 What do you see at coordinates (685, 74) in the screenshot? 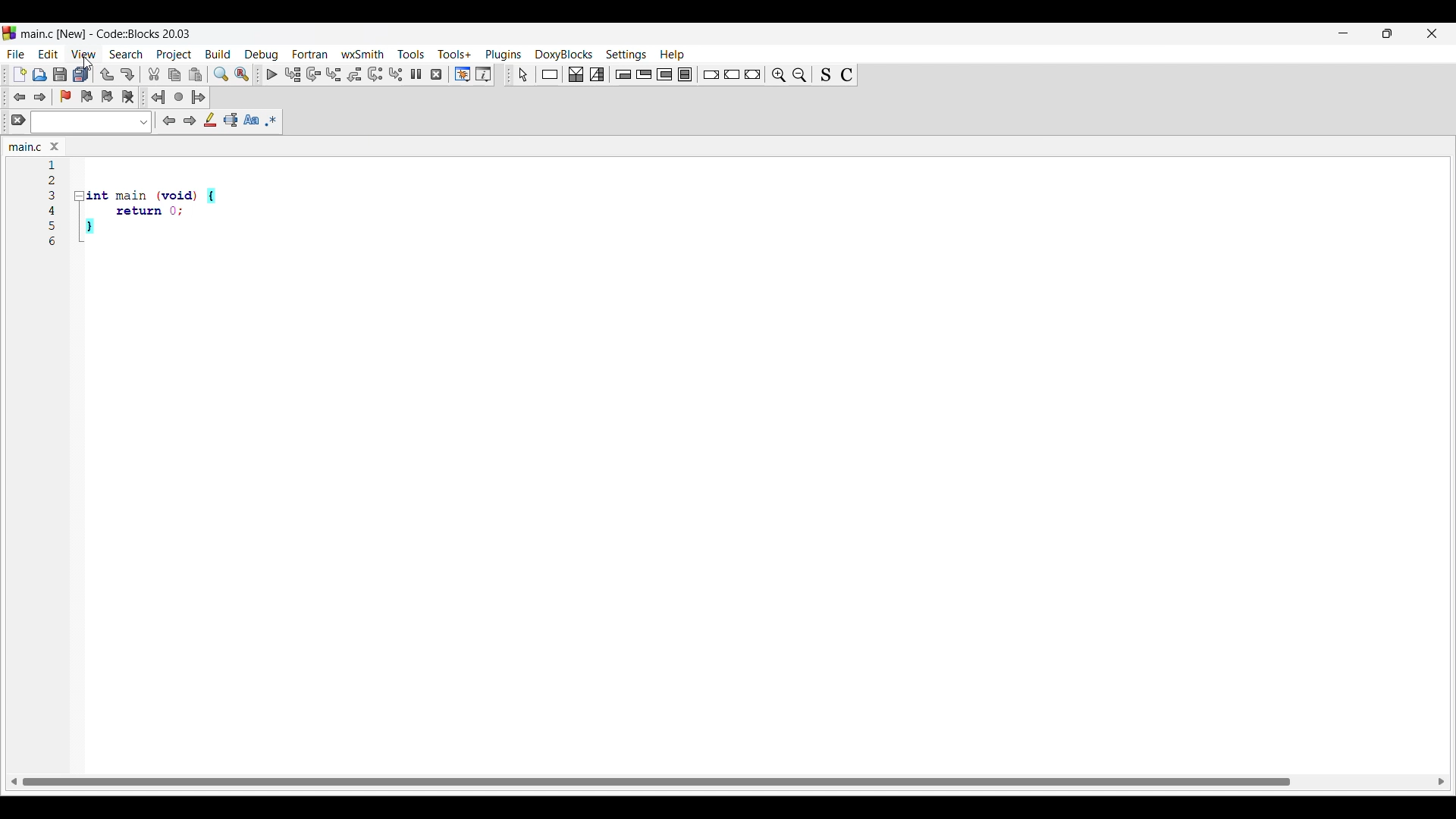
I see `Block instruction` at bounding box center [685, 74].